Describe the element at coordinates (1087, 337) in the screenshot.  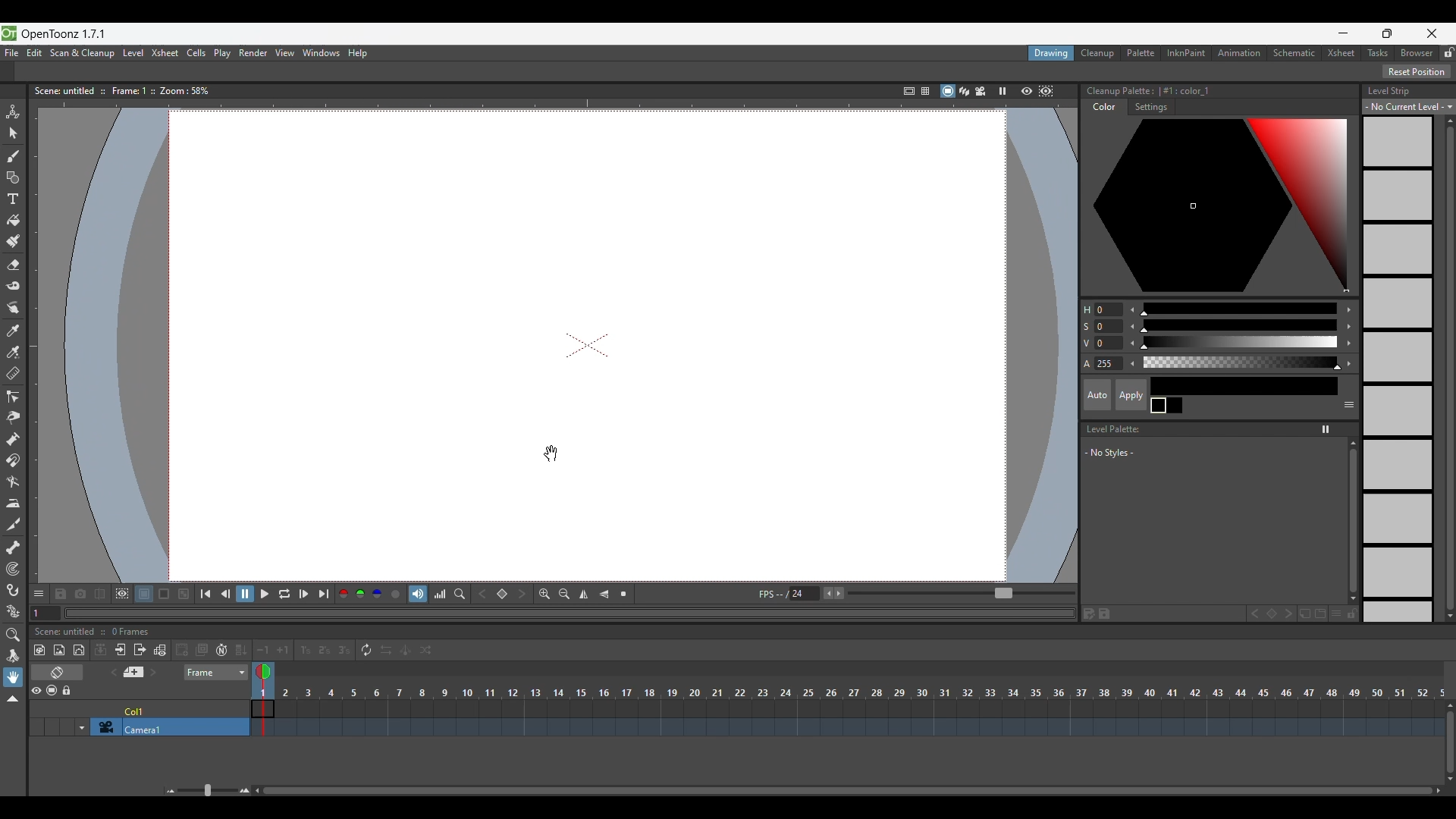
I see `Color modification options` at that location.